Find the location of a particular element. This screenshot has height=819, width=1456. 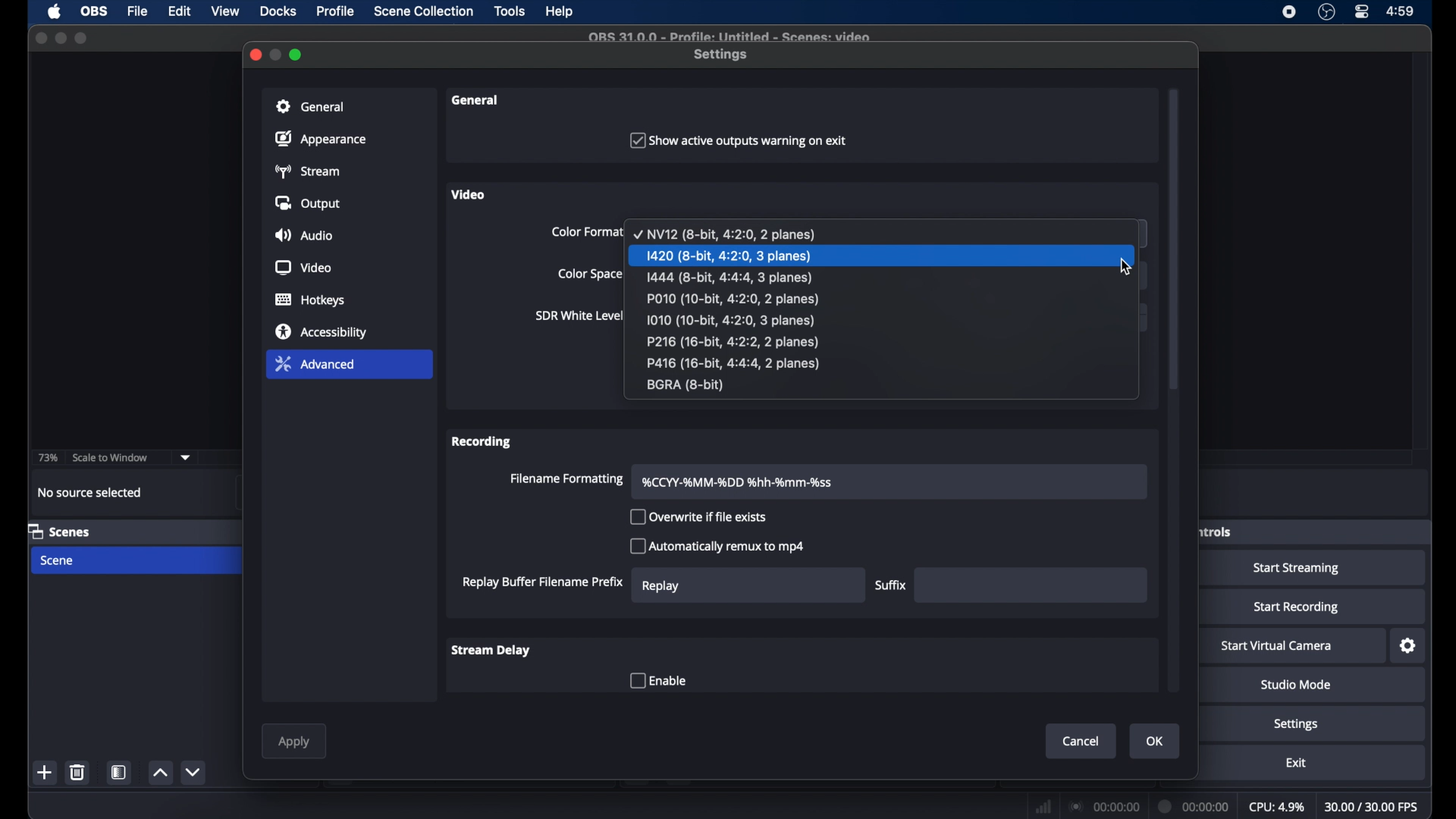

NV12 (8-bit, 4:2:0, 2 planes) is located at coordinates (726, 233).